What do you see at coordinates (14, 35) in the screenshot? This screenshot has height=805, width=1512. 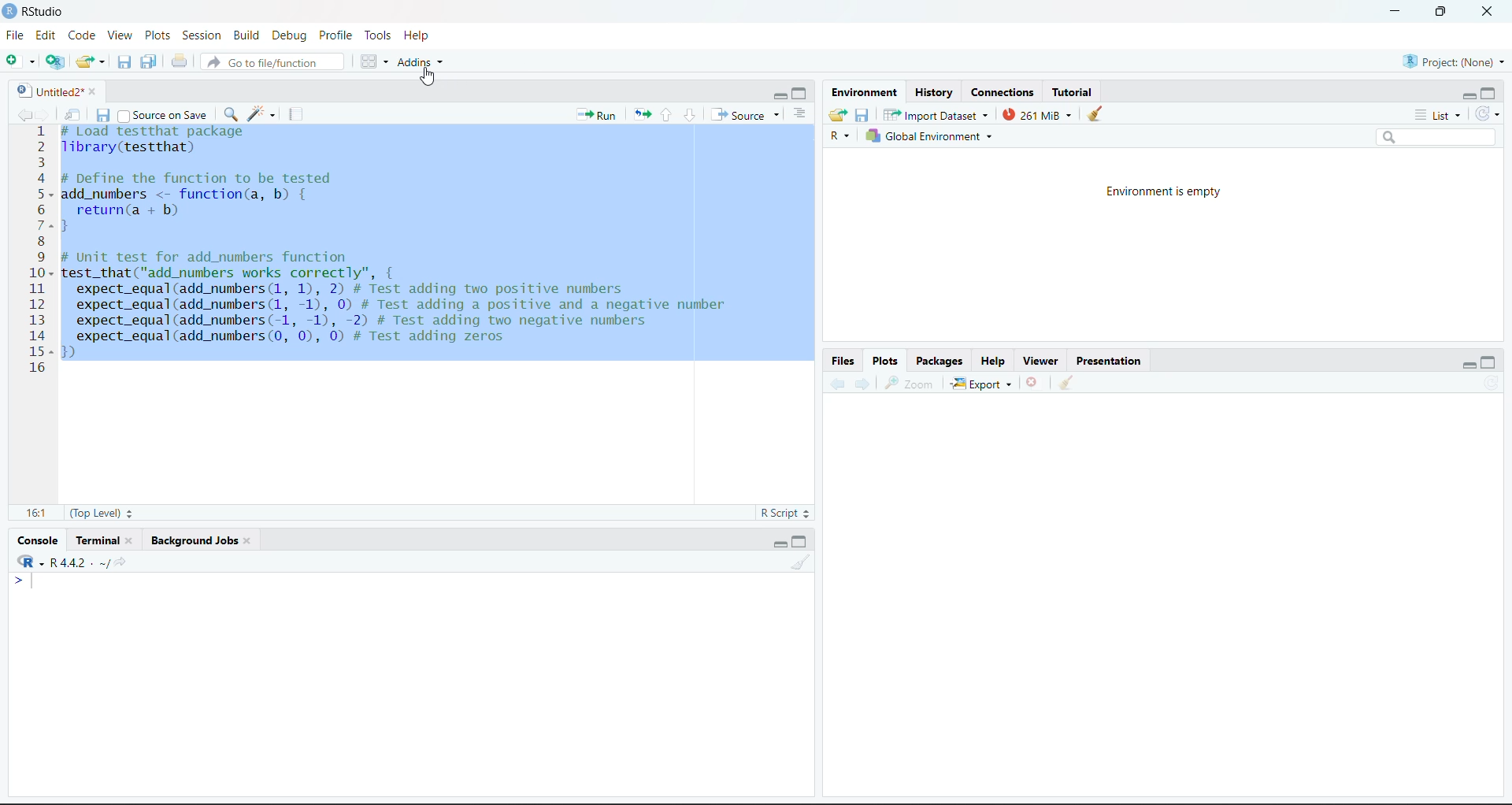 I see `File` at bounding box center [14, 35].